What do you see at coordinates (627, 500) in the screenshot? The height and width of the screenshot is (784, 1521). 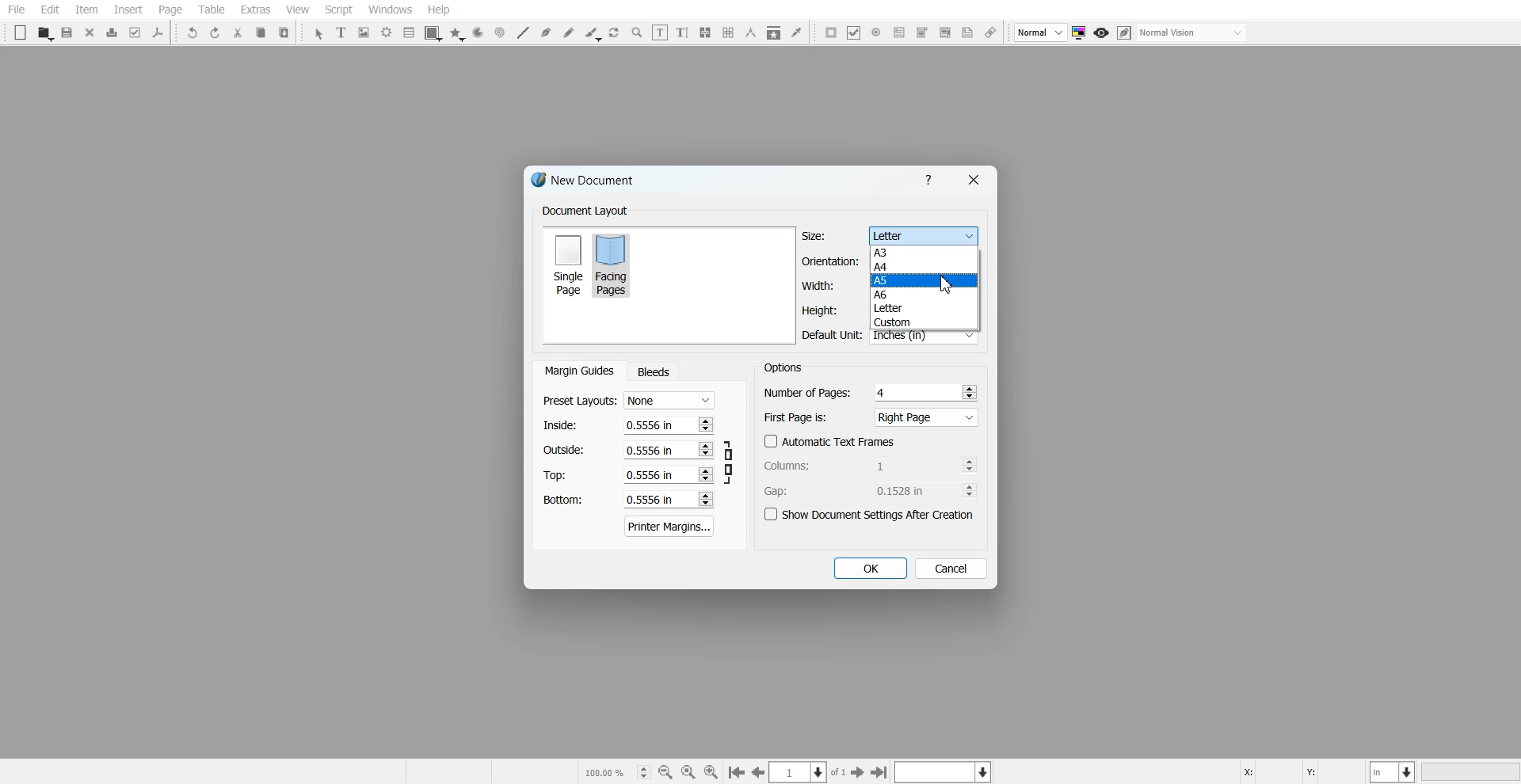 I see `Bottom margin adjuster` at bounding box center [627, 500].